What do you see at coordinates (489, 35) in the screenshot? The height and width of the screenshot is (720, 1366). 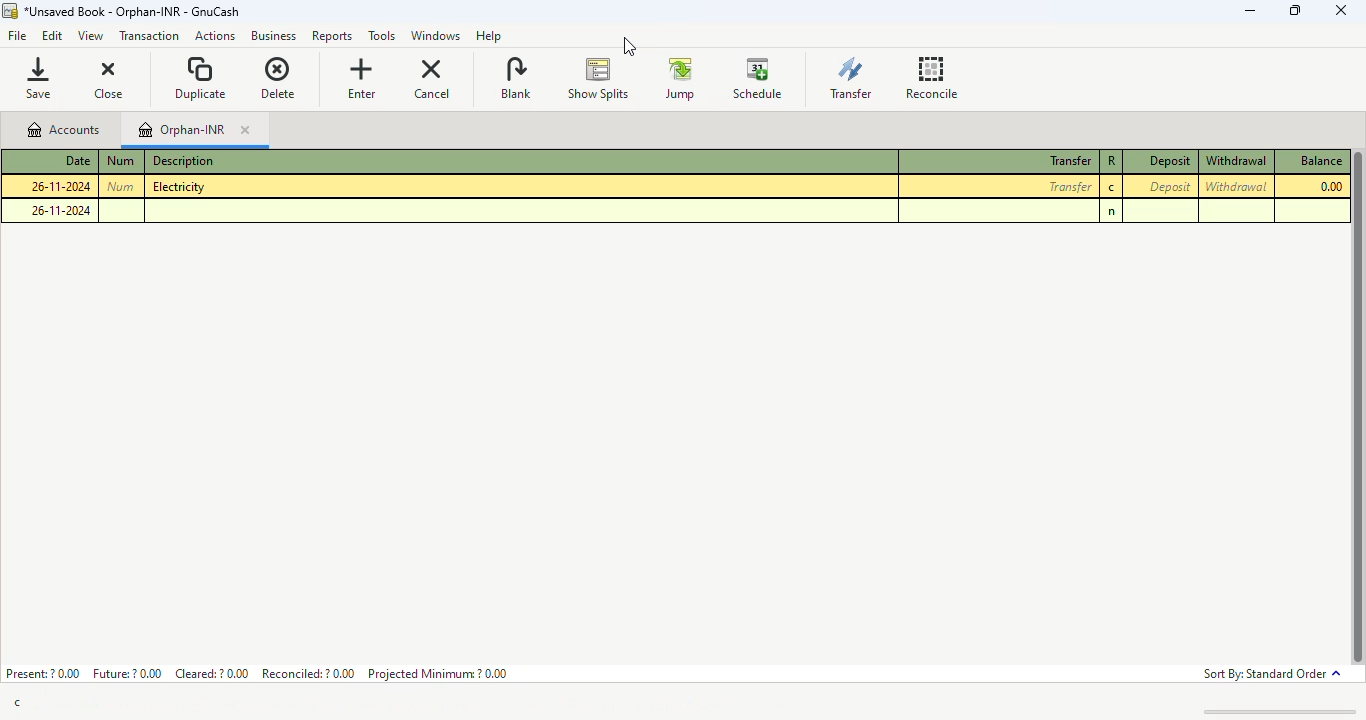 I see `Help` at bounding box center [489, 35].